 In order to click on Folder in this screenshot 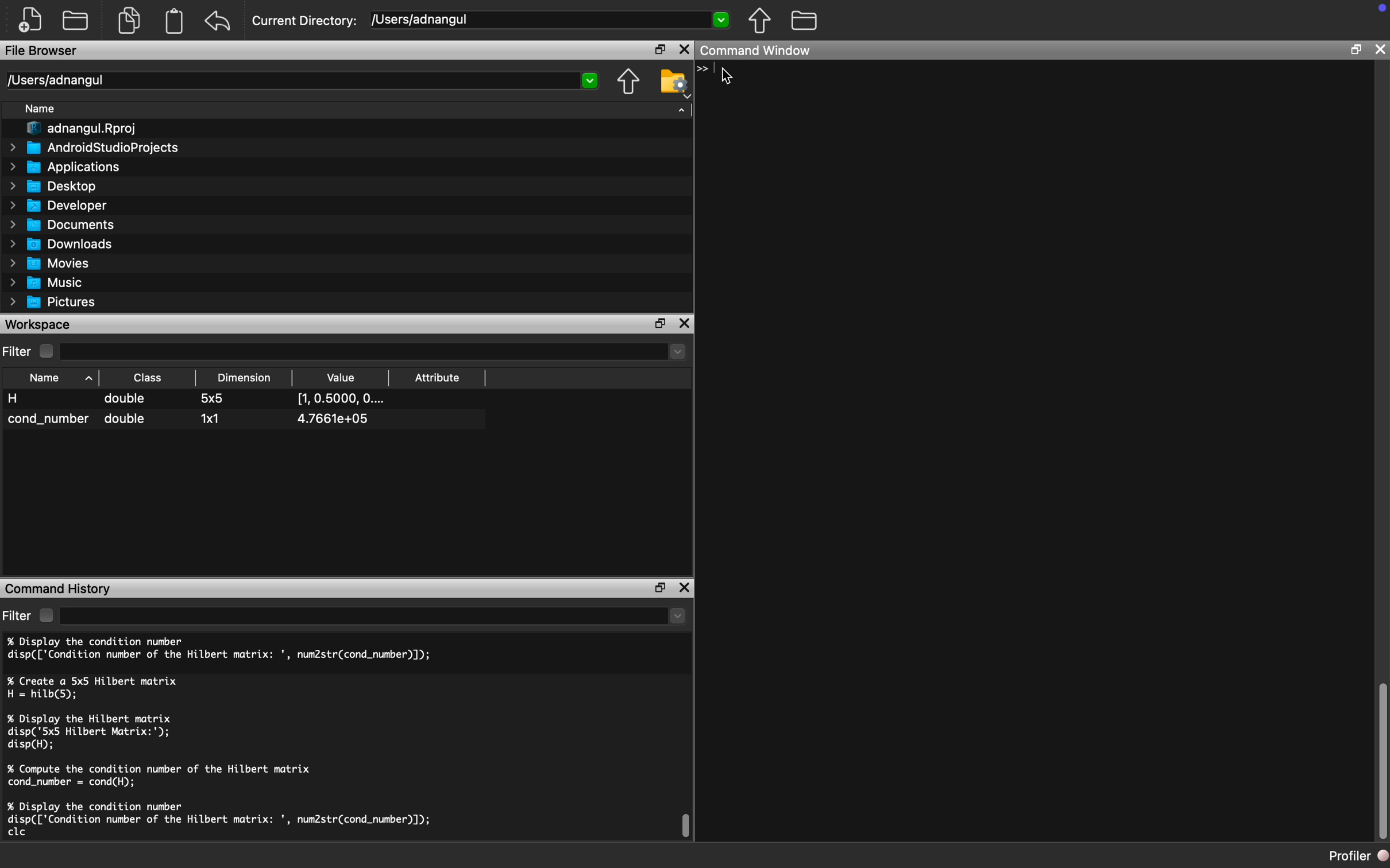, I will do `click(804, 21)`.